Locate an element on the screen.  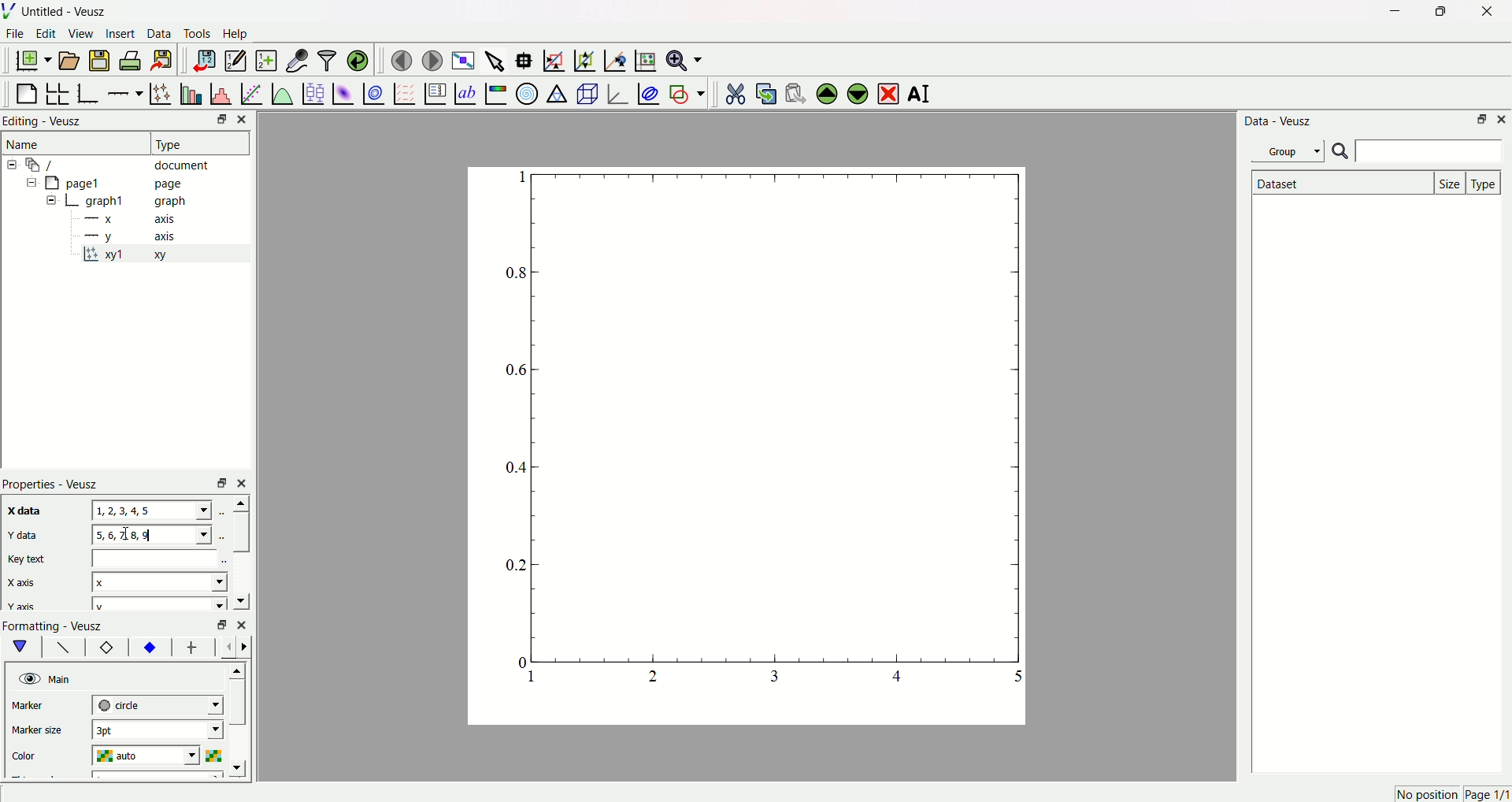
1, 2, 3, 4, 5 is located at coordinates (153, 511).